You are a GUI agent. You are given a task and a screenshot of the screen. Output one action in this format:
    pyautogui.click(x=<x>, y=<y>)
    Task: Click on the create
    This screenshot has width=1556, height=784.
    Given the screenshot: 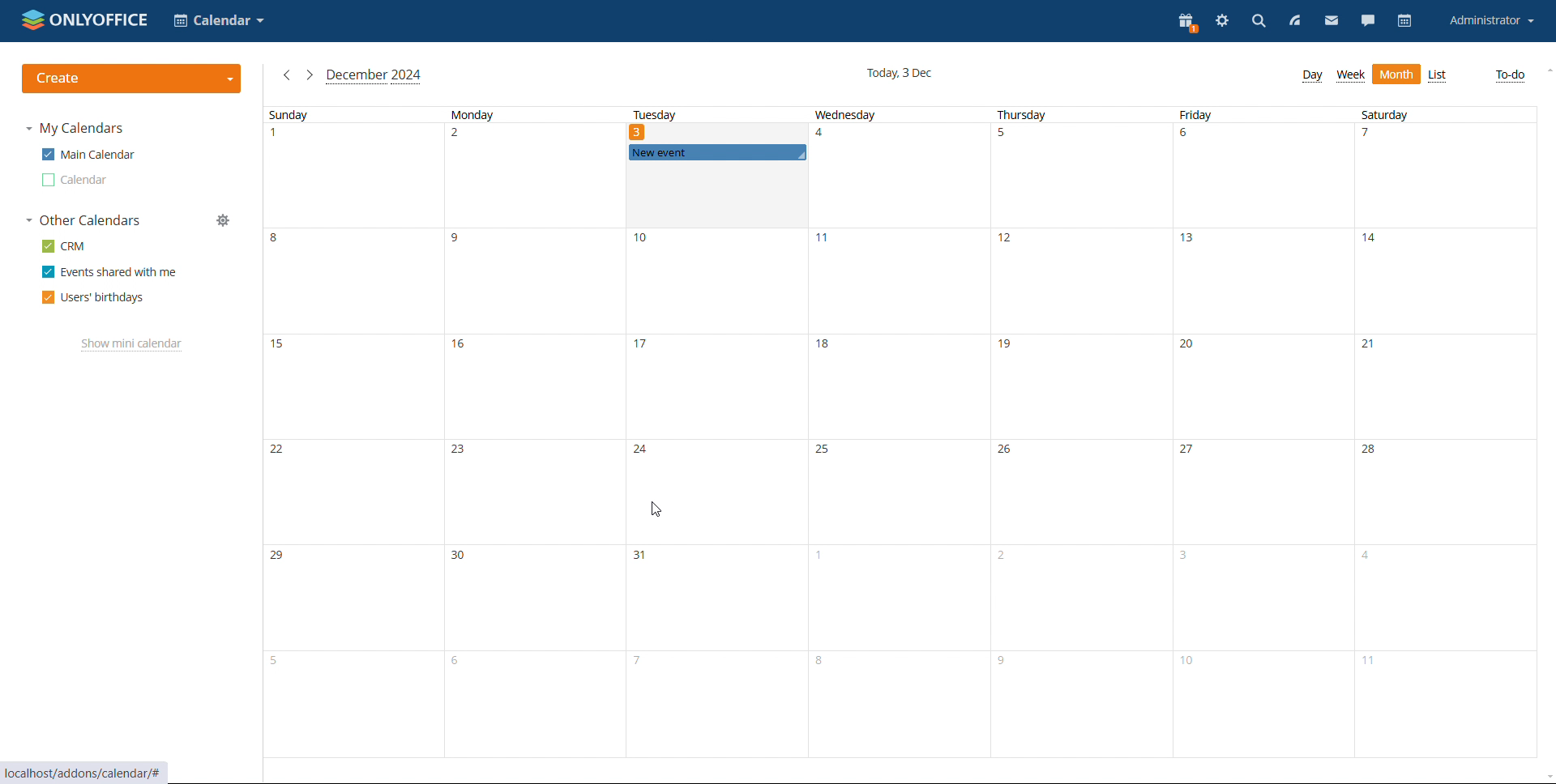 What is the action you would take?
    pyautogui.click(x=131, y=79)
    